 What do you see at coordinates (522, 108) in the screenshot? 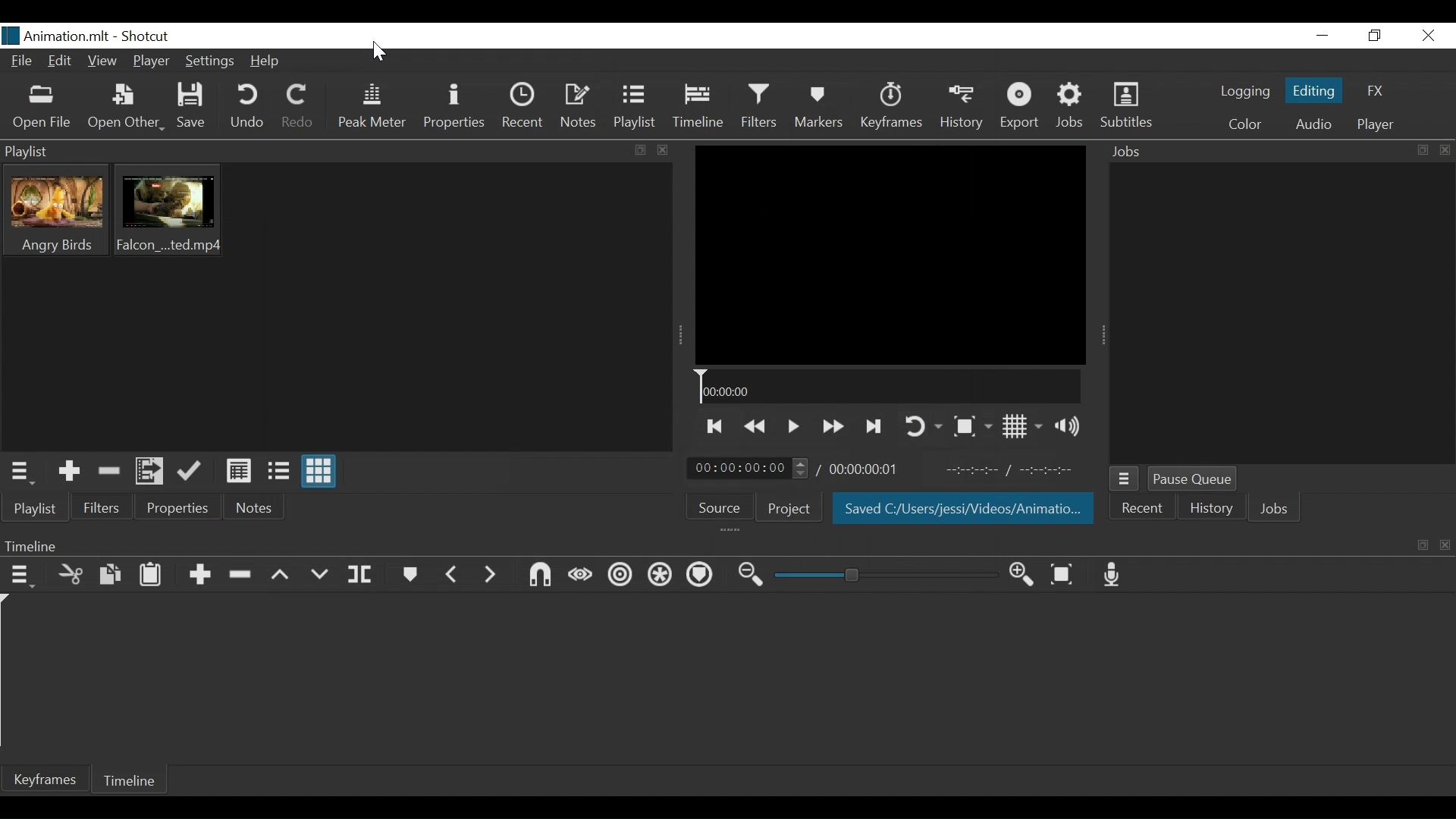
I see `Recent` at bounding box center [522, 108].